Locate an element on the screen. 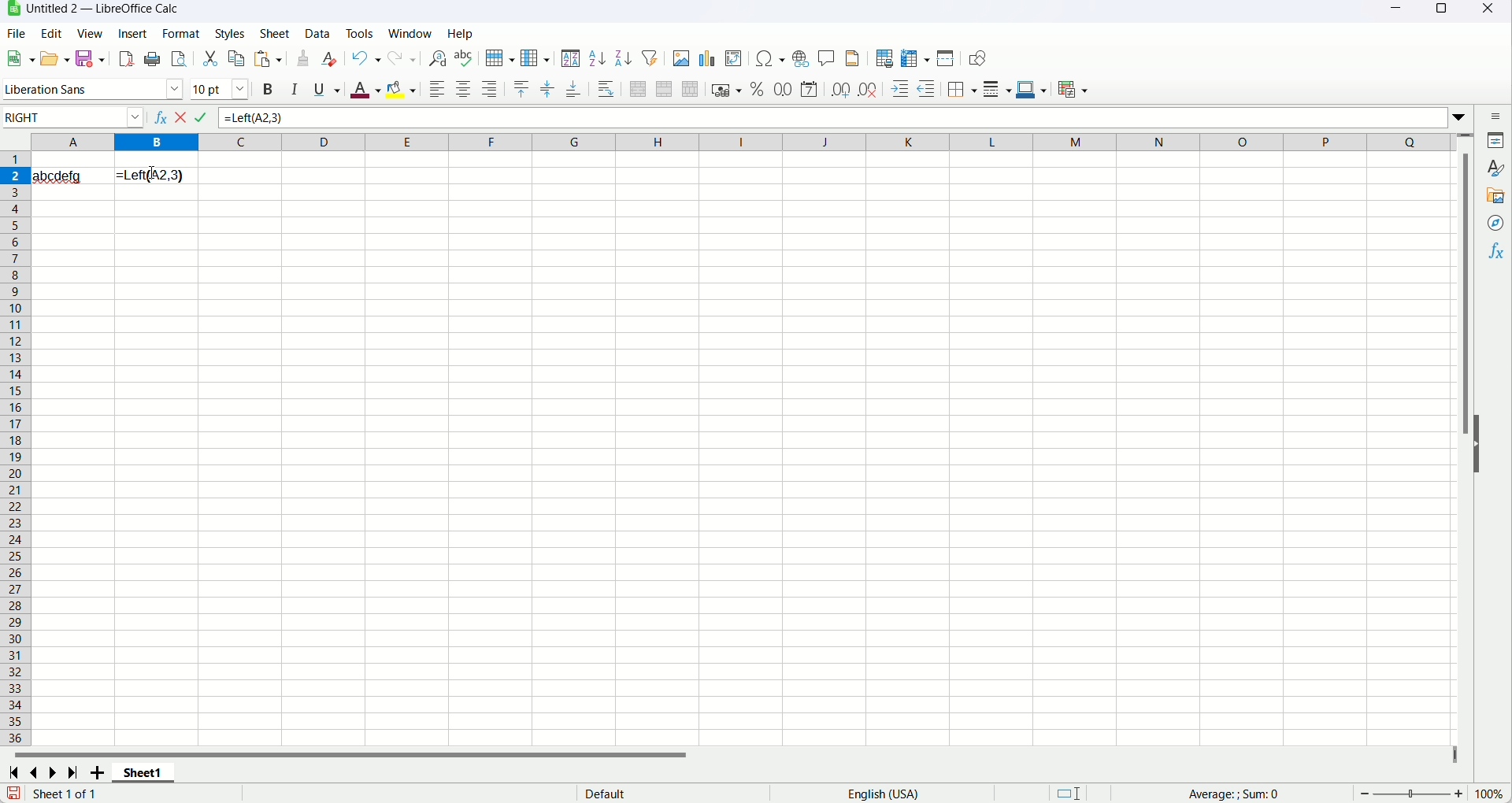 The width and height of the screenshot is (1512, 803). styles is located at coordinates (231, 34).